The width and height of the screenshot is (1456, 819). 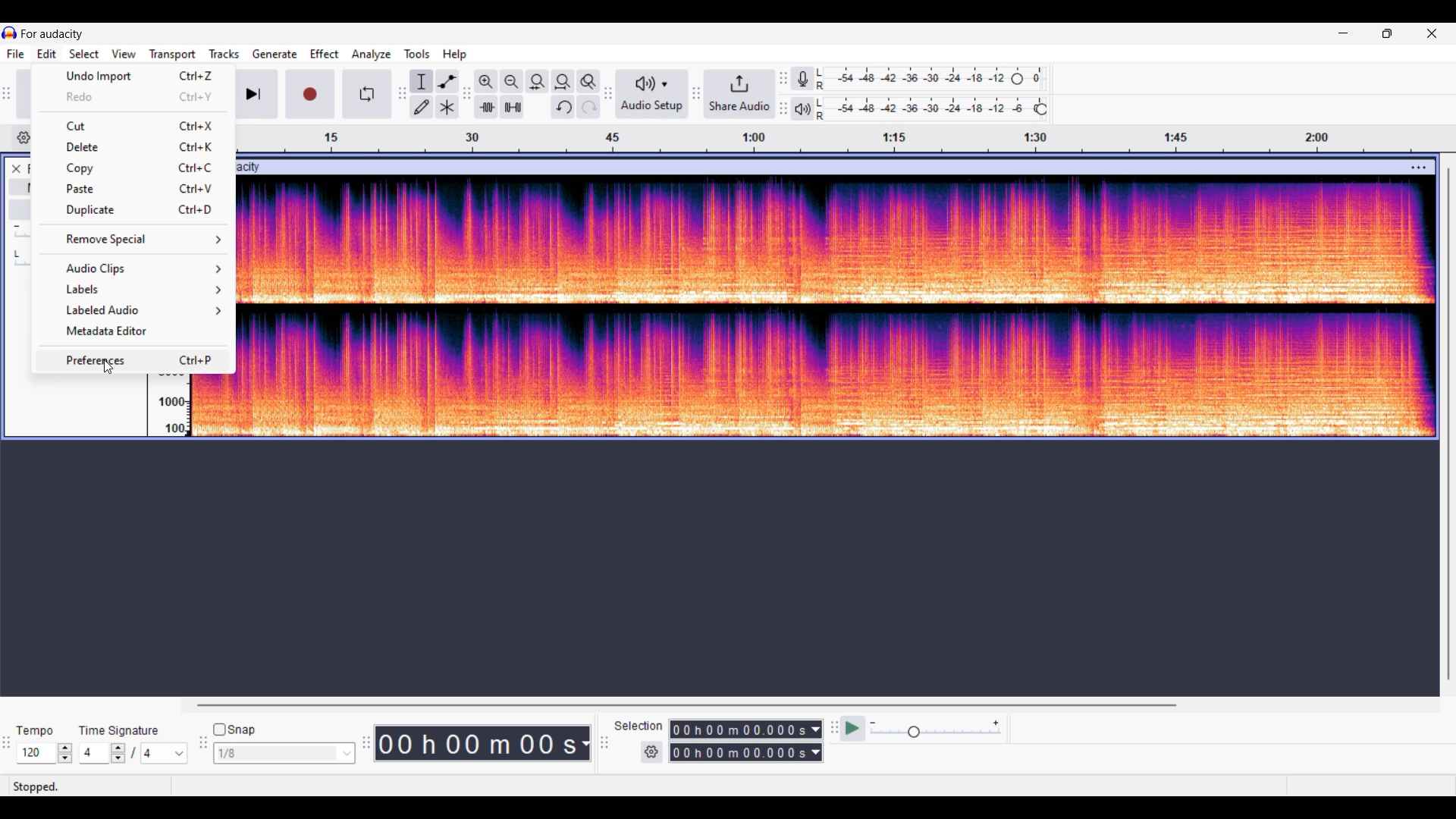 What do you see at coordinates (284, 753) in the screenshot?
I see `Snap options` at bounding box center [284, 753].